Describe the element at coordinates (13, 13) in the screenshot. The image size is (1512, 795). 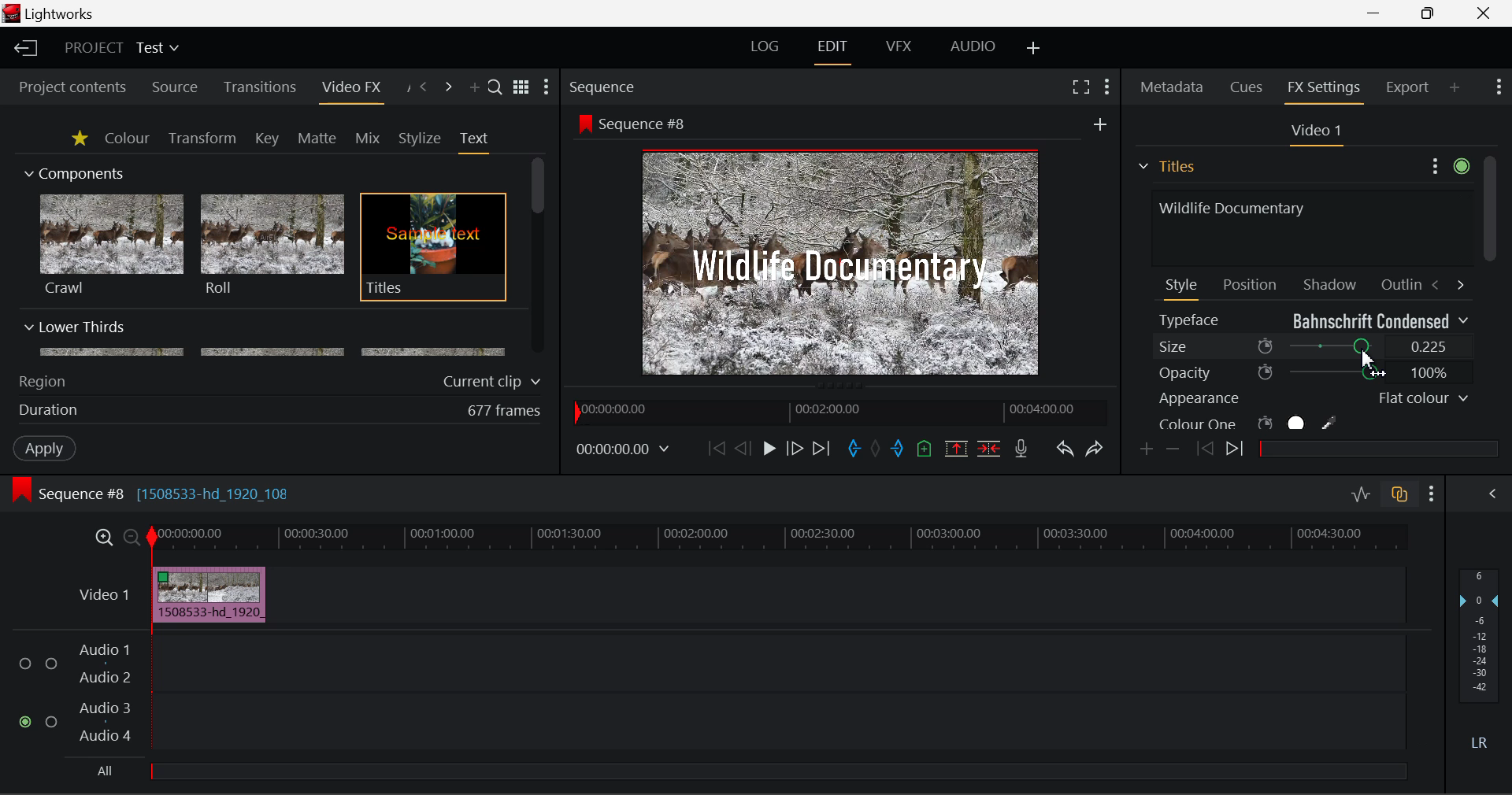
I see `logo` at that location.